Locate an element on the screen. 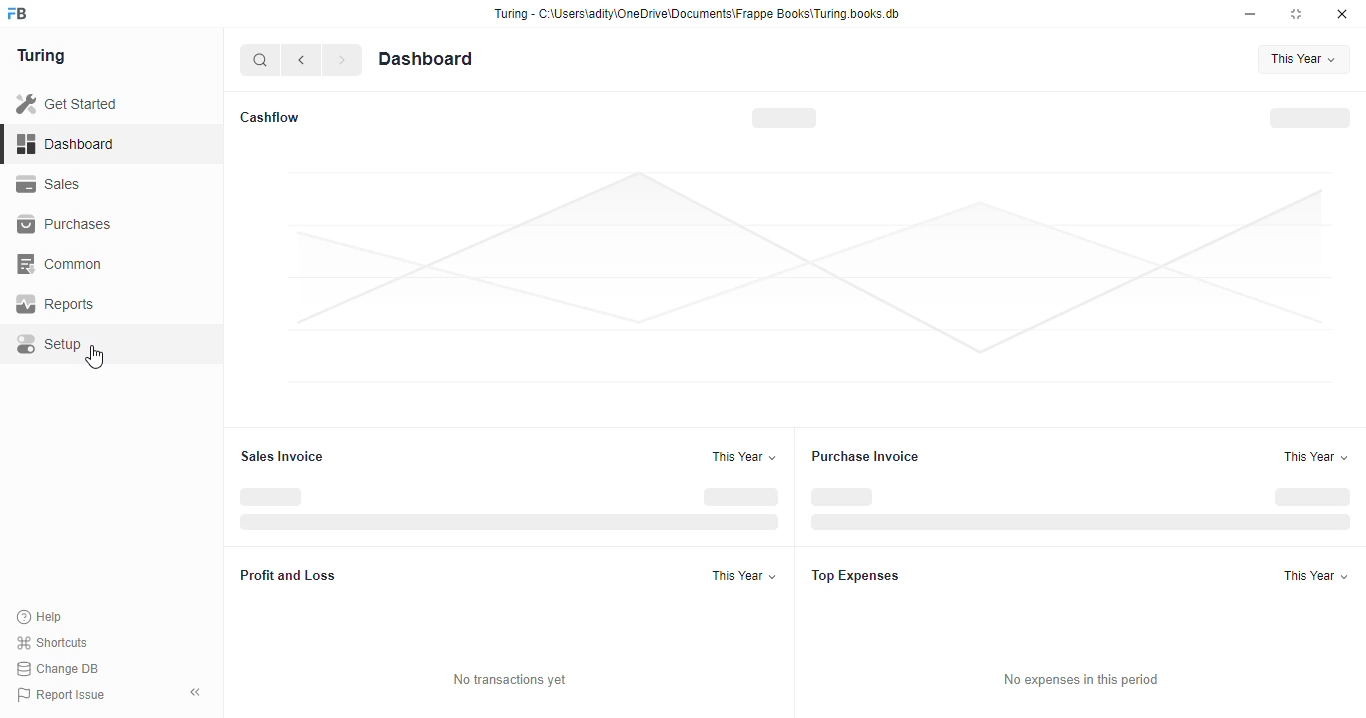 Image resolution: width=1366 pixels, height=718 pixels. Shortcuts is located at coordinates (57, 642).